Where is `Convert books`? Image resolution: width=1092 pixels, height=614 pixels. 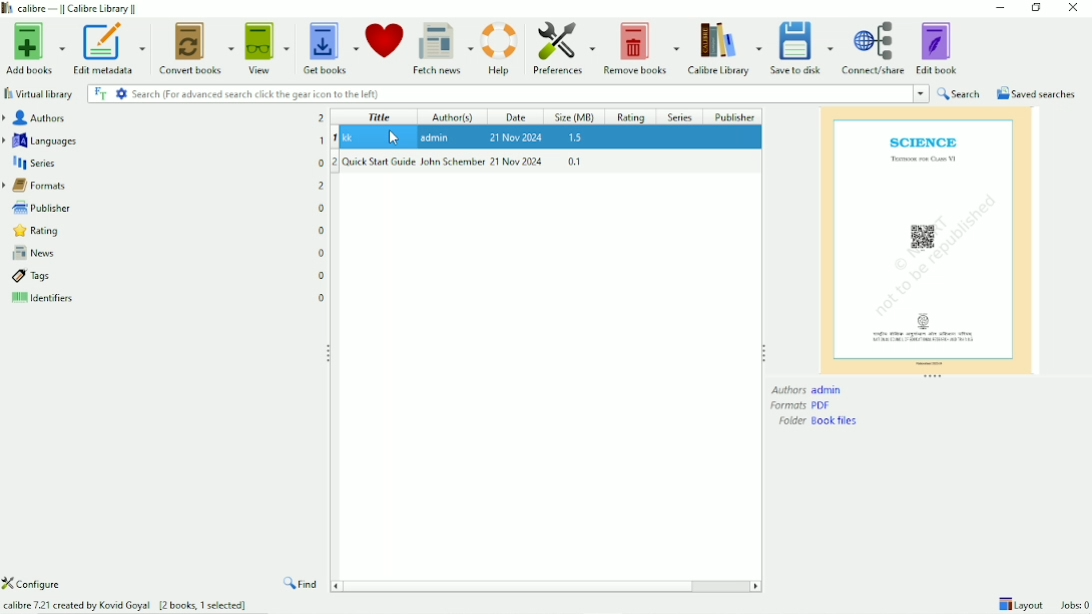 Convert books is located at coordinates (198, 48).